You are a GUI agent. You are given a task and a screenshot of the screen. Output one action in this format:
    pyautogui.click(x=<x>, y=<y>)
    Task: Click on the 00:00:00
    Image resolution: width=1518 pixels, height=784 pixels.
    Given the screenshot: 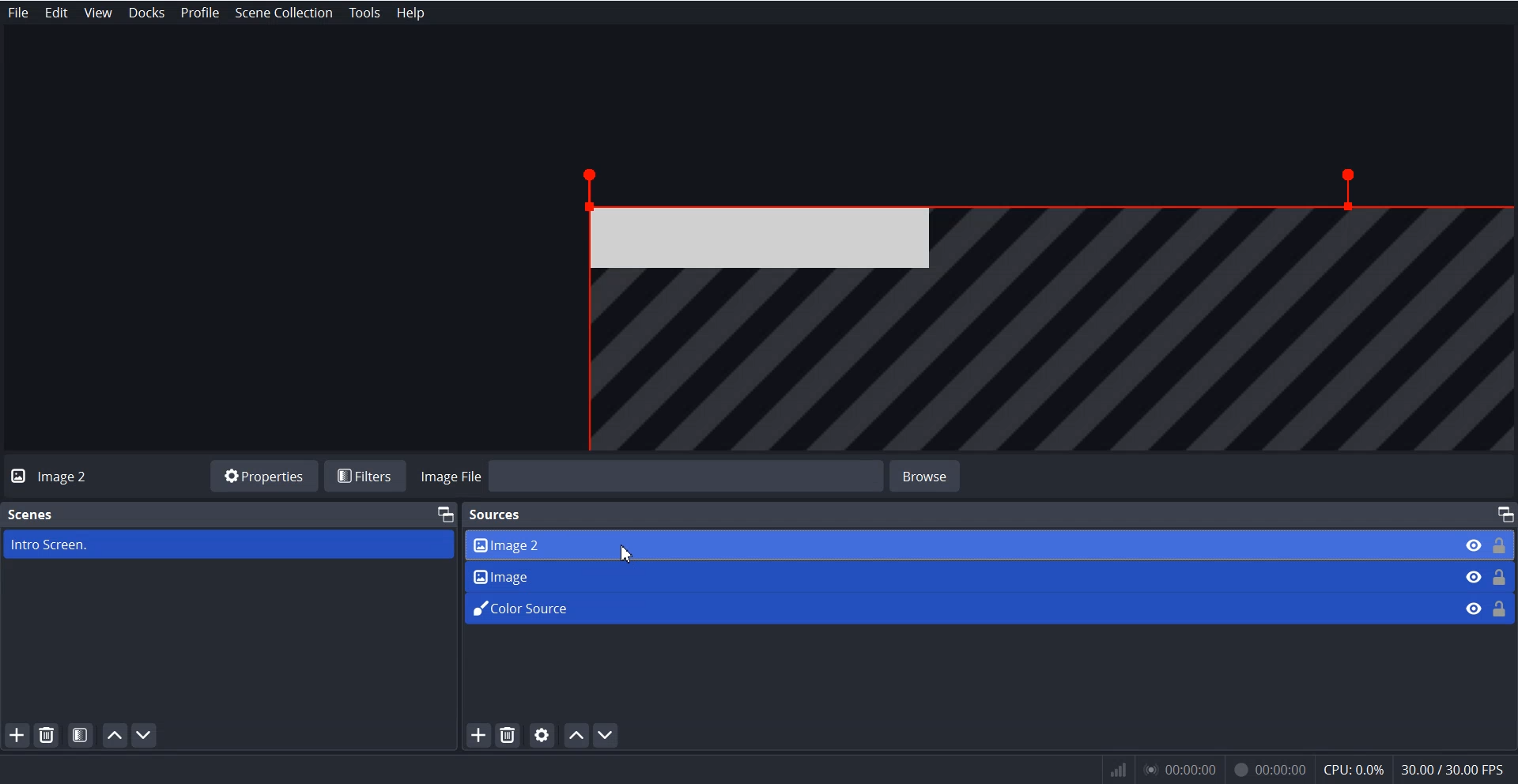 What is the action you would take?
    pyautogui.click(x=1269, y=767)
    